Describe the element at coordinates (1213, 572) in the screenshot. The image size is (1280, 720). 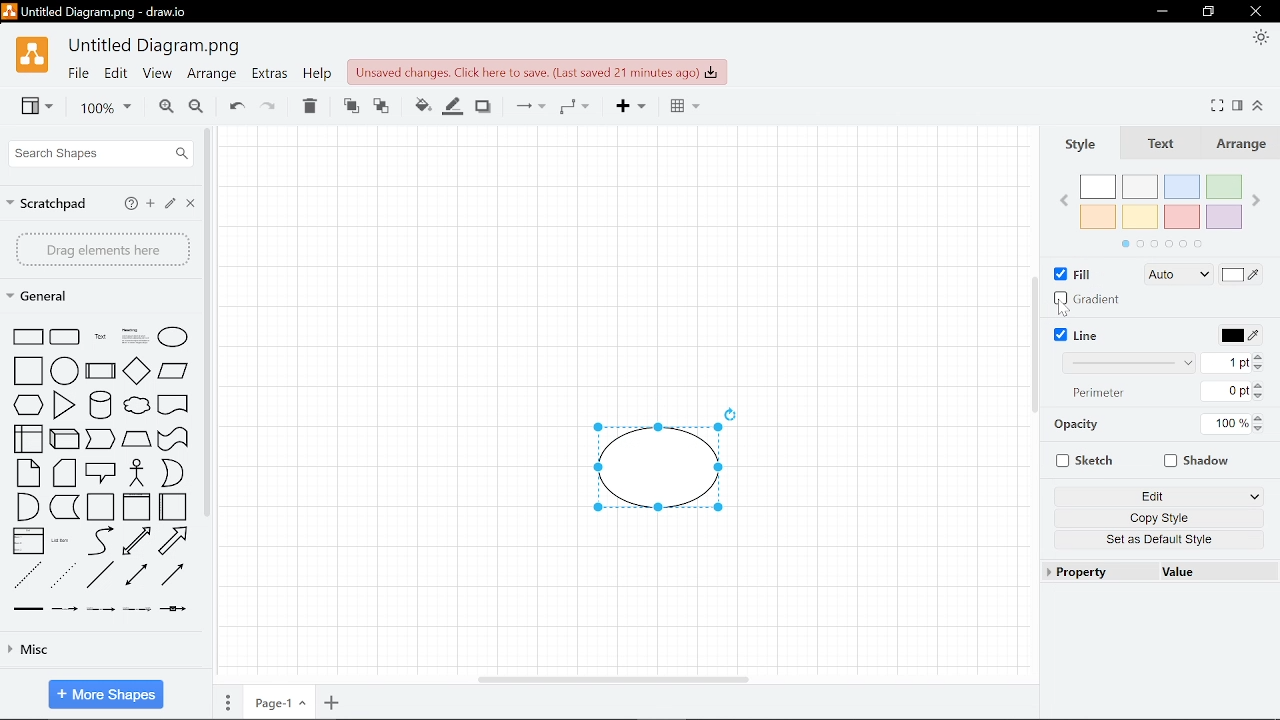
I see `Value` at that location.